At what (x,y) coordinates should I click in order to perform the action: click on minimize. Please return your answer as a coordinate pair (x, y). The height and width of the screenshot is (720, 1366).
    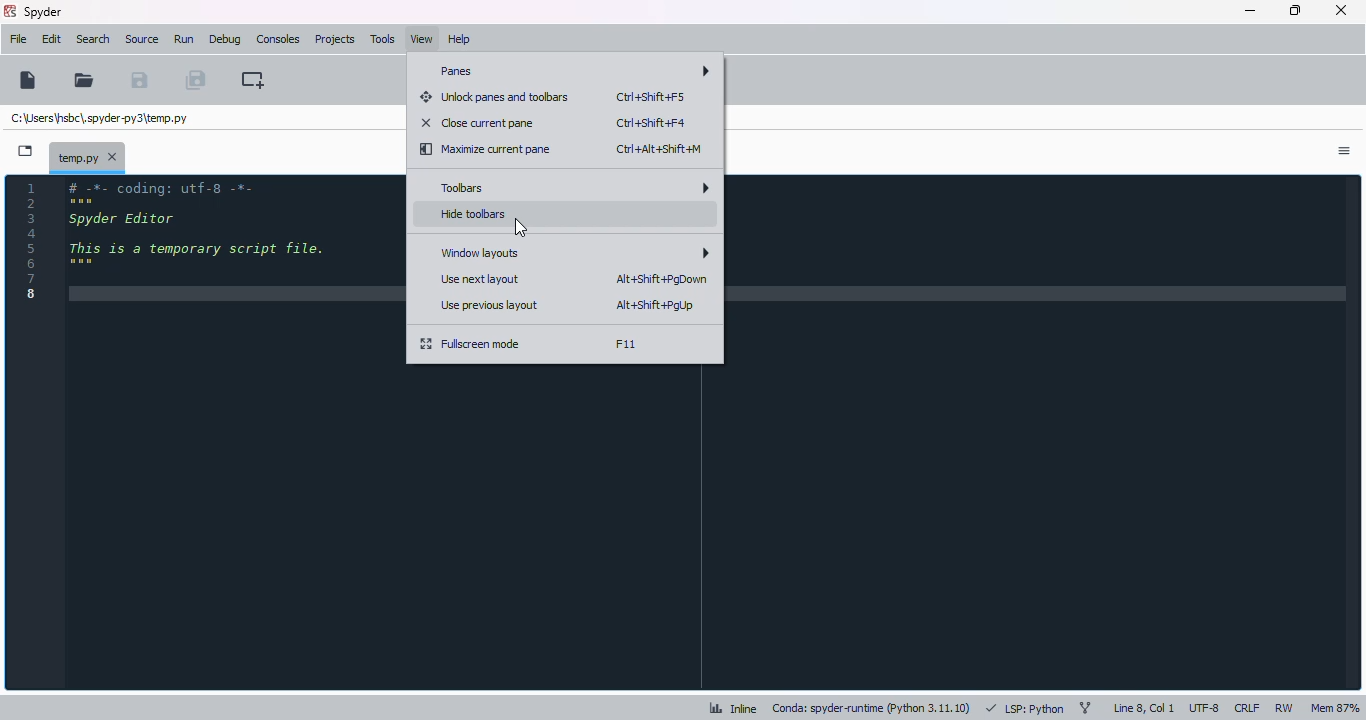
    Looking at the image, I should click on (1251, 11).